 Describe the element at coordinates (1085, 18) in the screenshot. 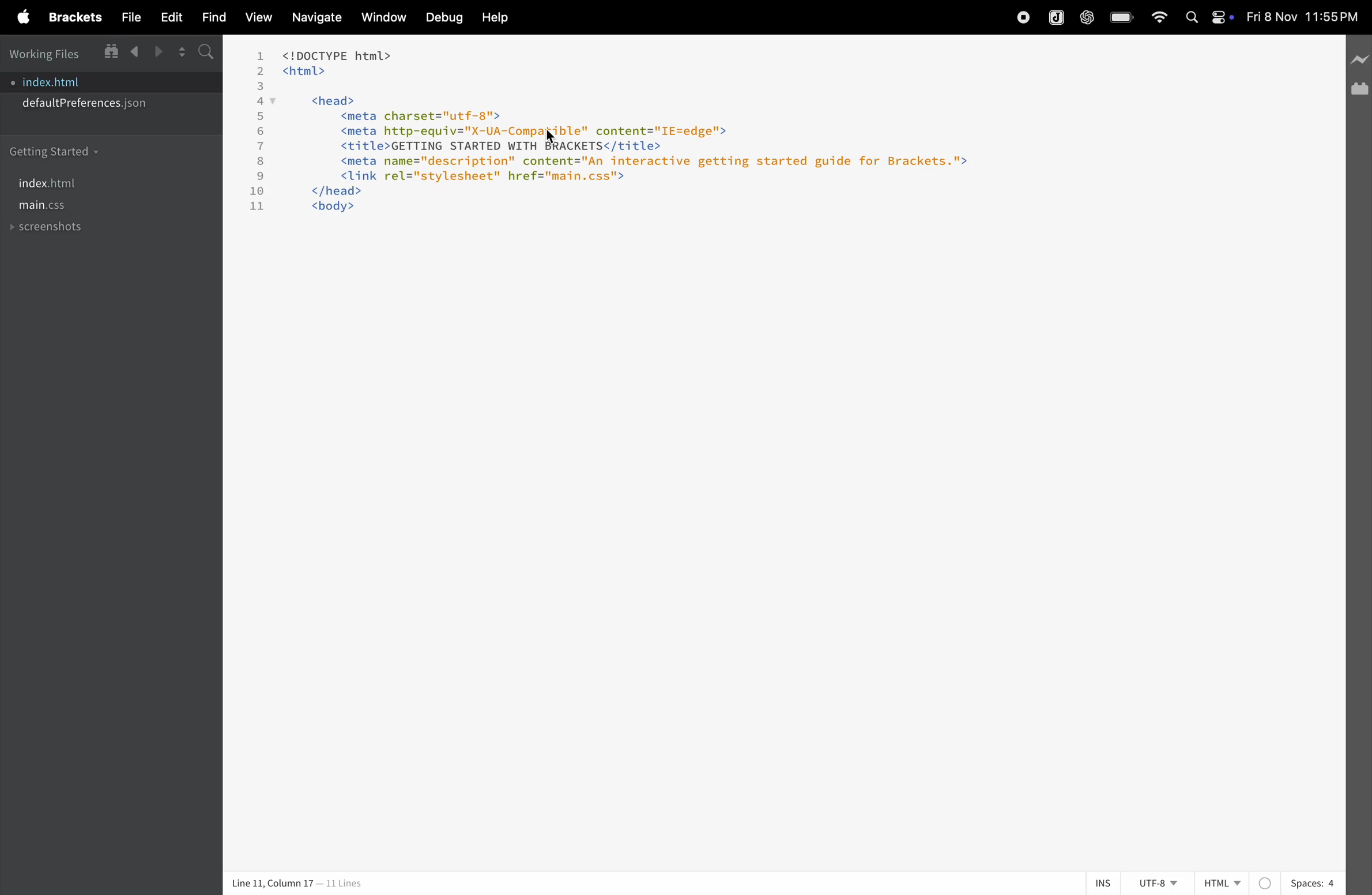

I see `chatgpt` at that location.